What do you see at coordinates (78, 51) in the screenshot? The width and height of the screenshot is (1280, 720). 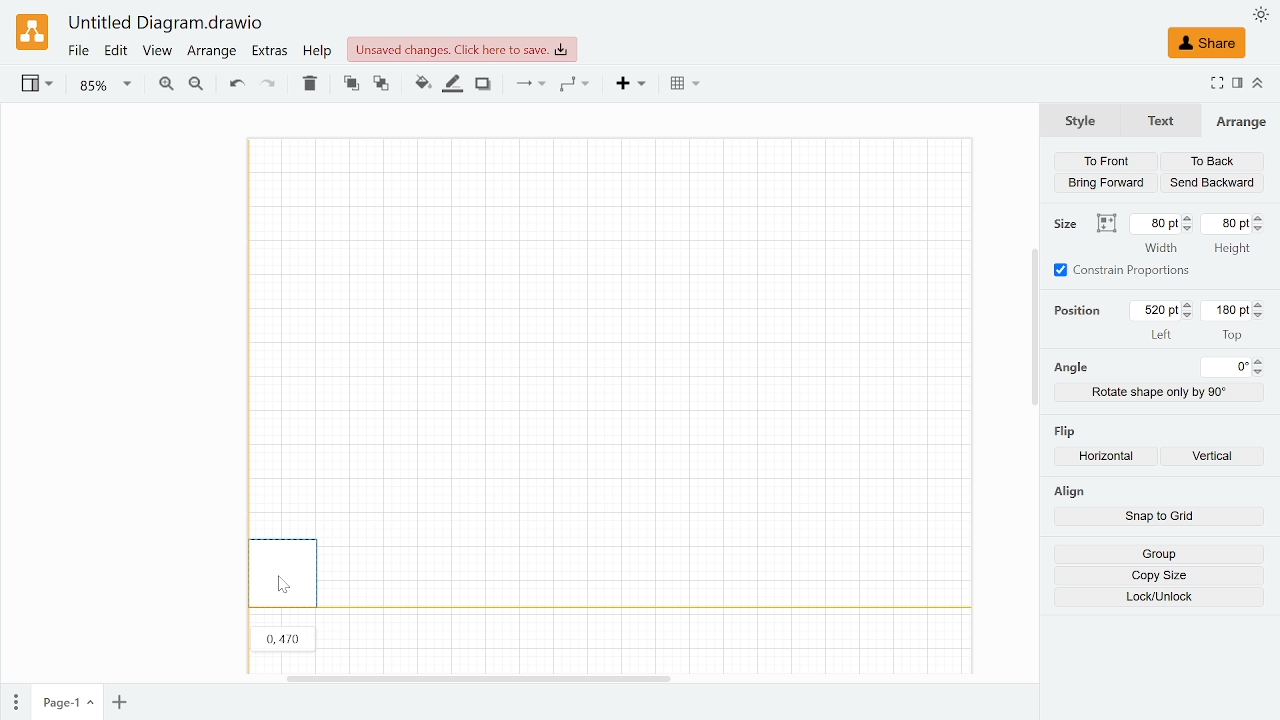 I see `File` at bounding box center [78, 51].